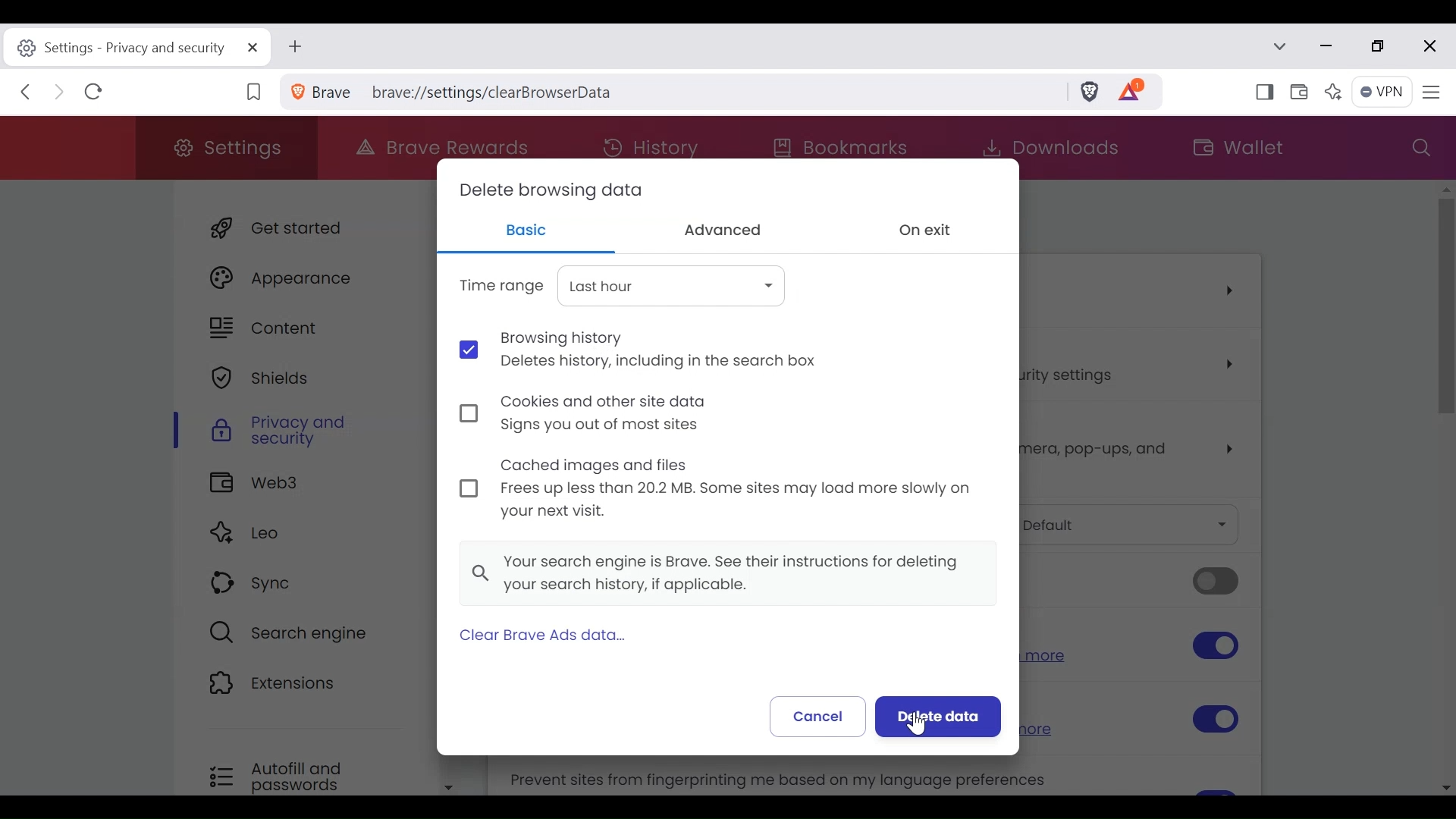 This screenshot has height=819, width=1456. Describe the element at coordinates (640, 351) in the screenshot. I see `Browsing history
Deletes history, including in the search box` at that location.